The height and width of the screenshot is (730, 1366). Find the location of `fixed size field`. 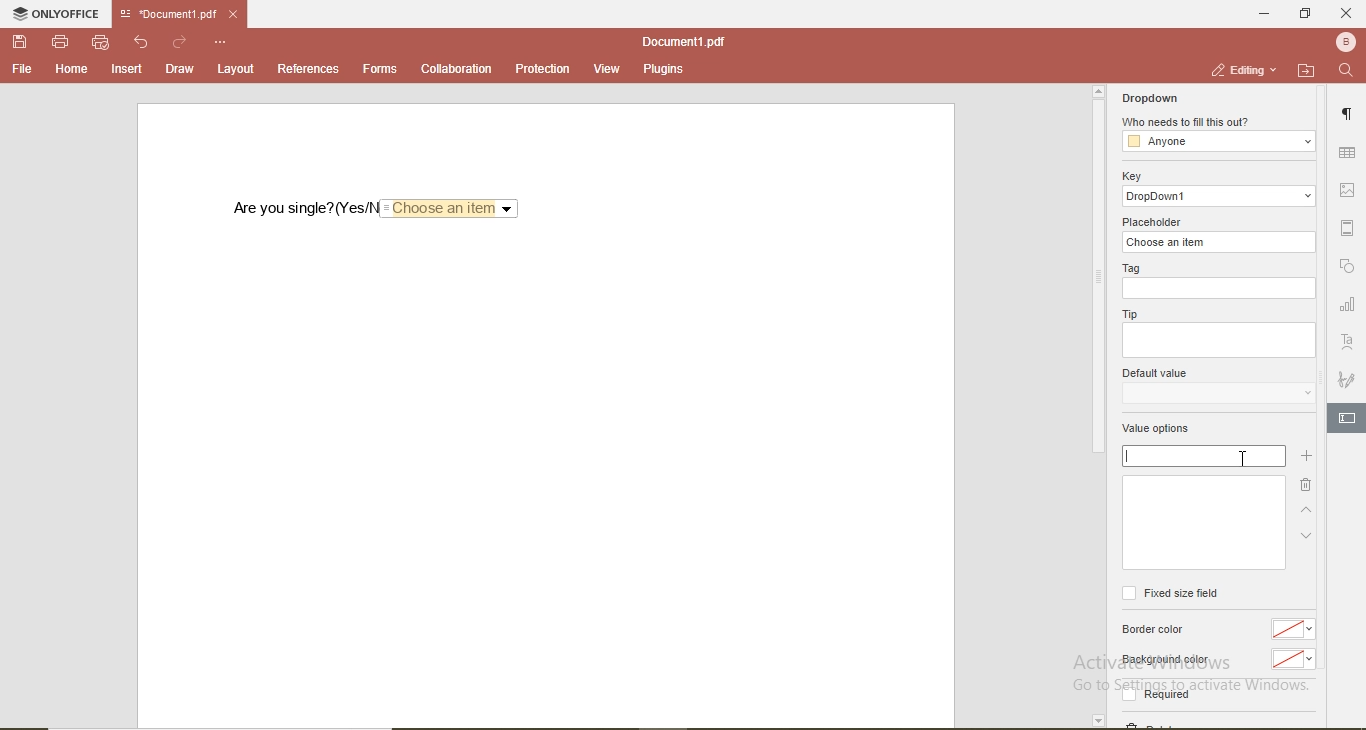

fixed size field is located at coordinates (1172, 594).